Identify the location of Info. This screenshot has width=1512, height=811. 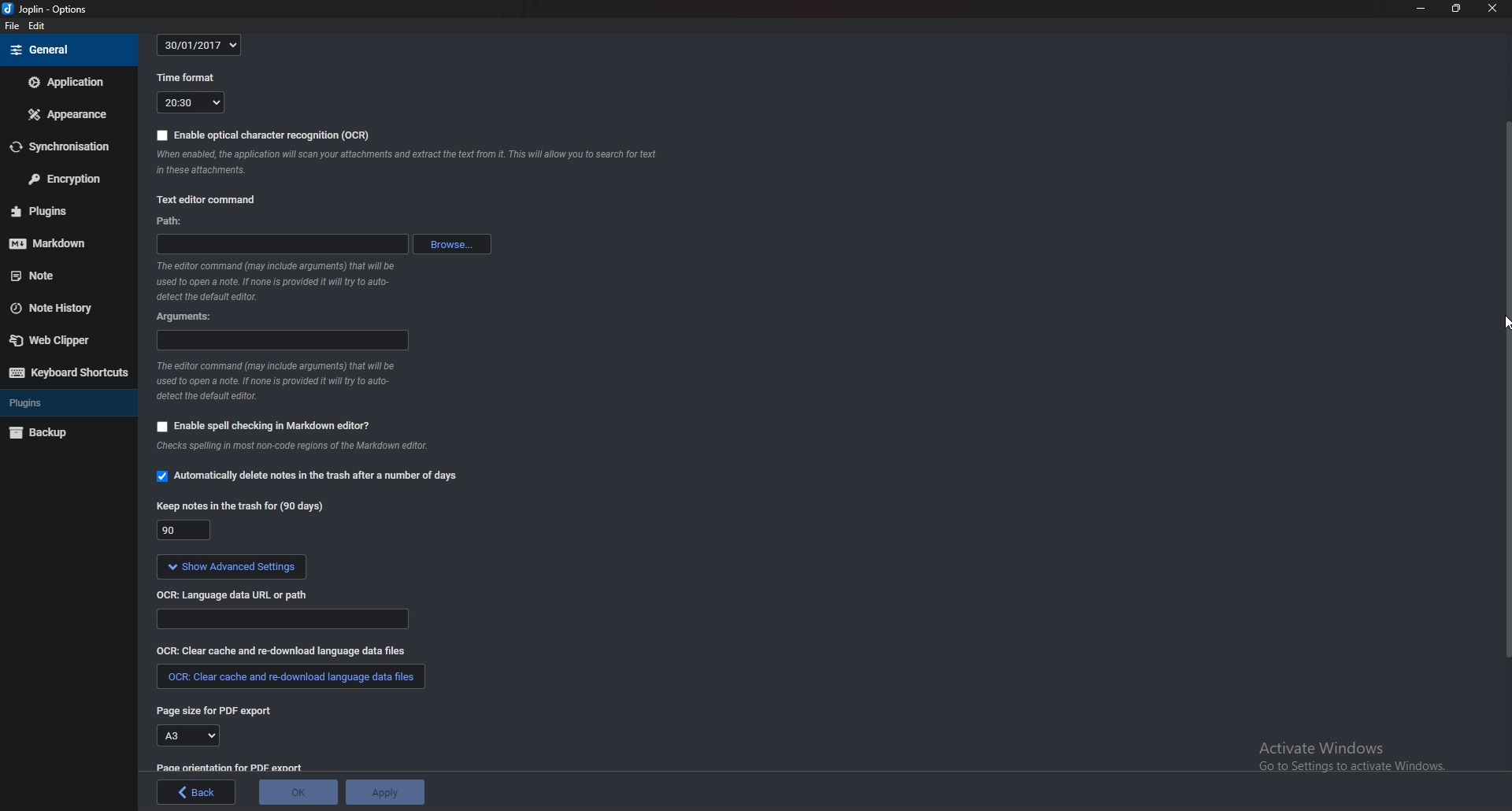
(282, 280).